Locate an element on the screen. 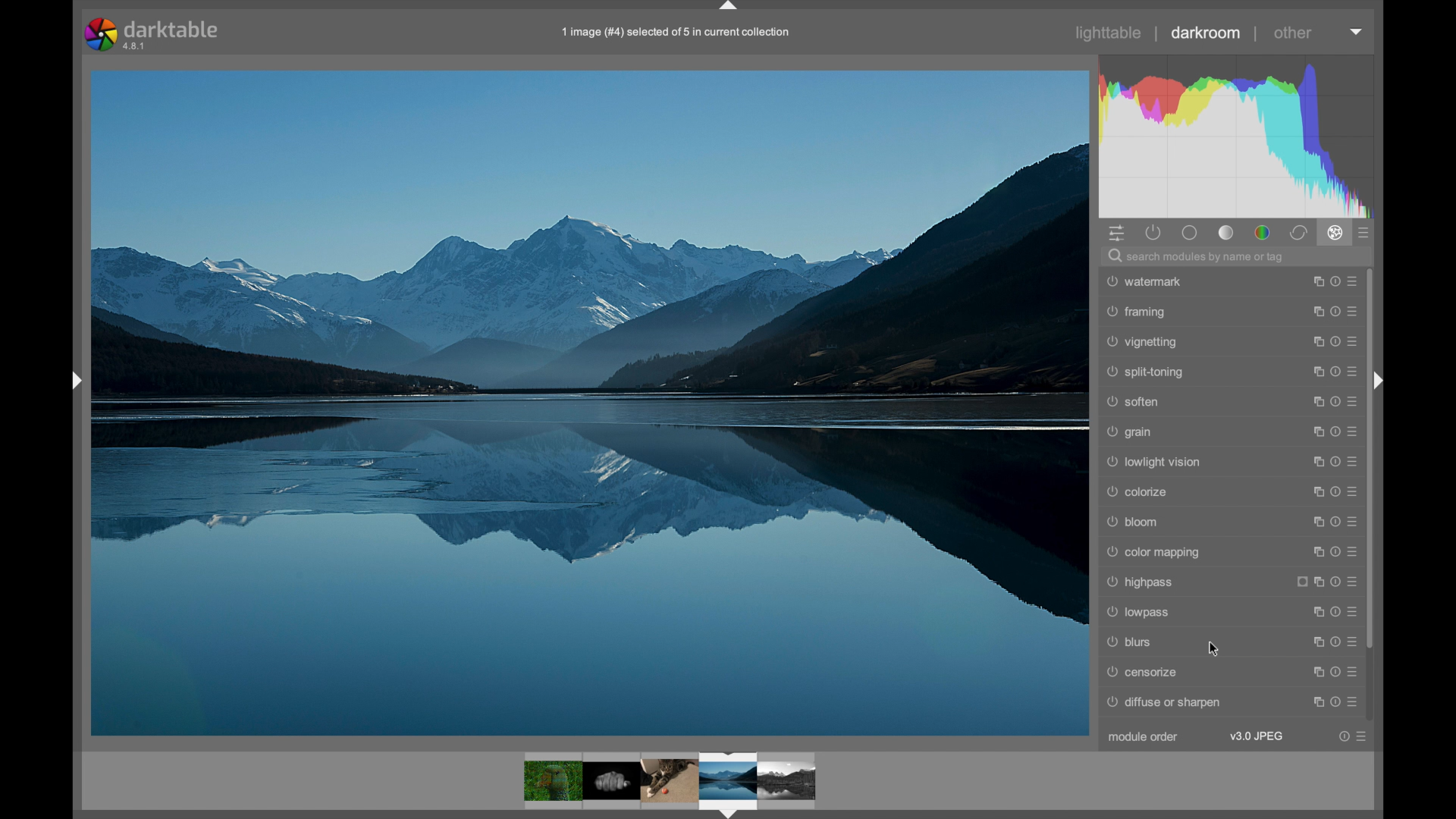 This screenshot has width=1456, height=819. more options is located at coordinates (1354, 373).